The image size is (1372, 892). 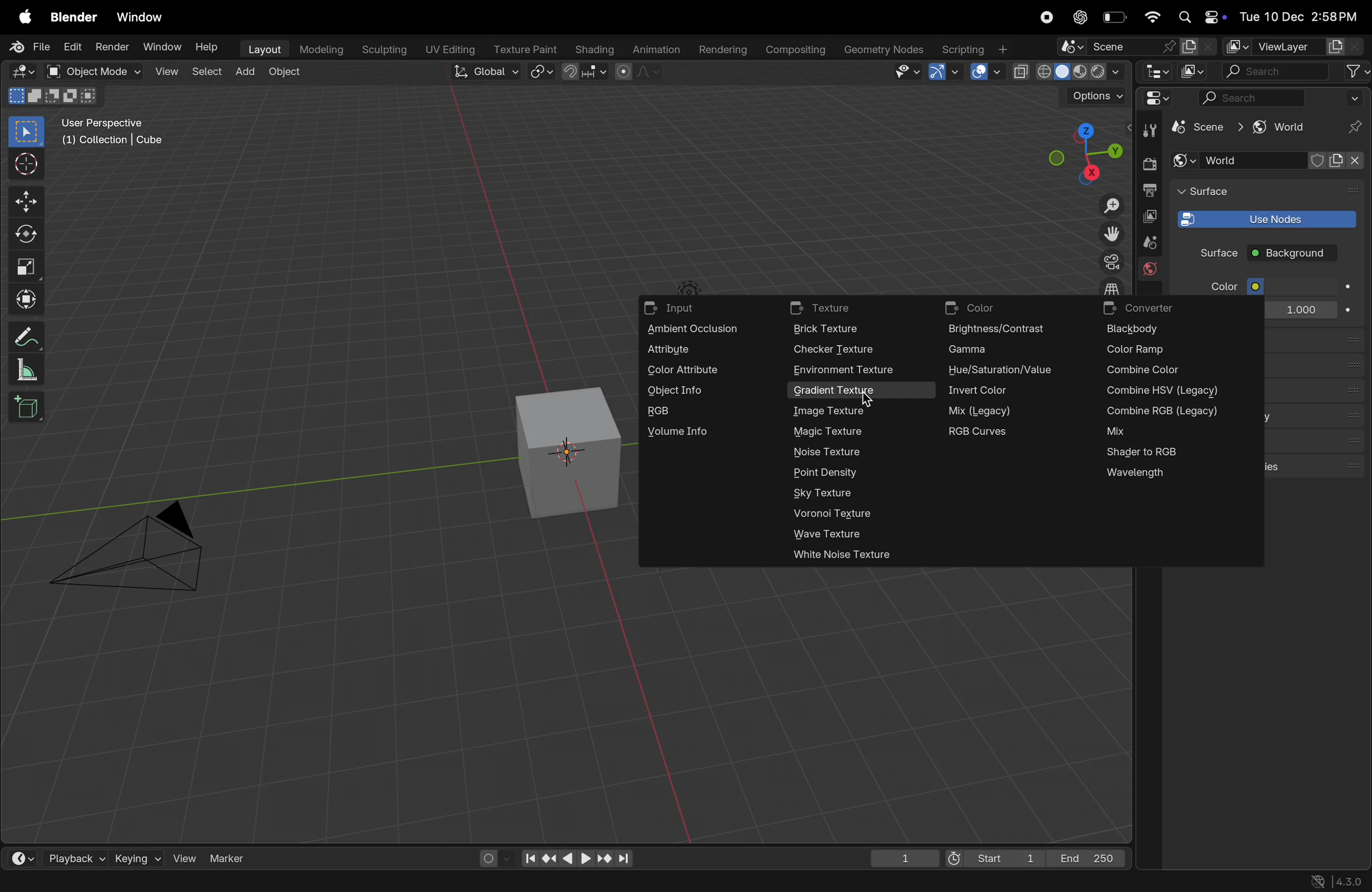 I want to click on Object, so click(x=287, y=71).